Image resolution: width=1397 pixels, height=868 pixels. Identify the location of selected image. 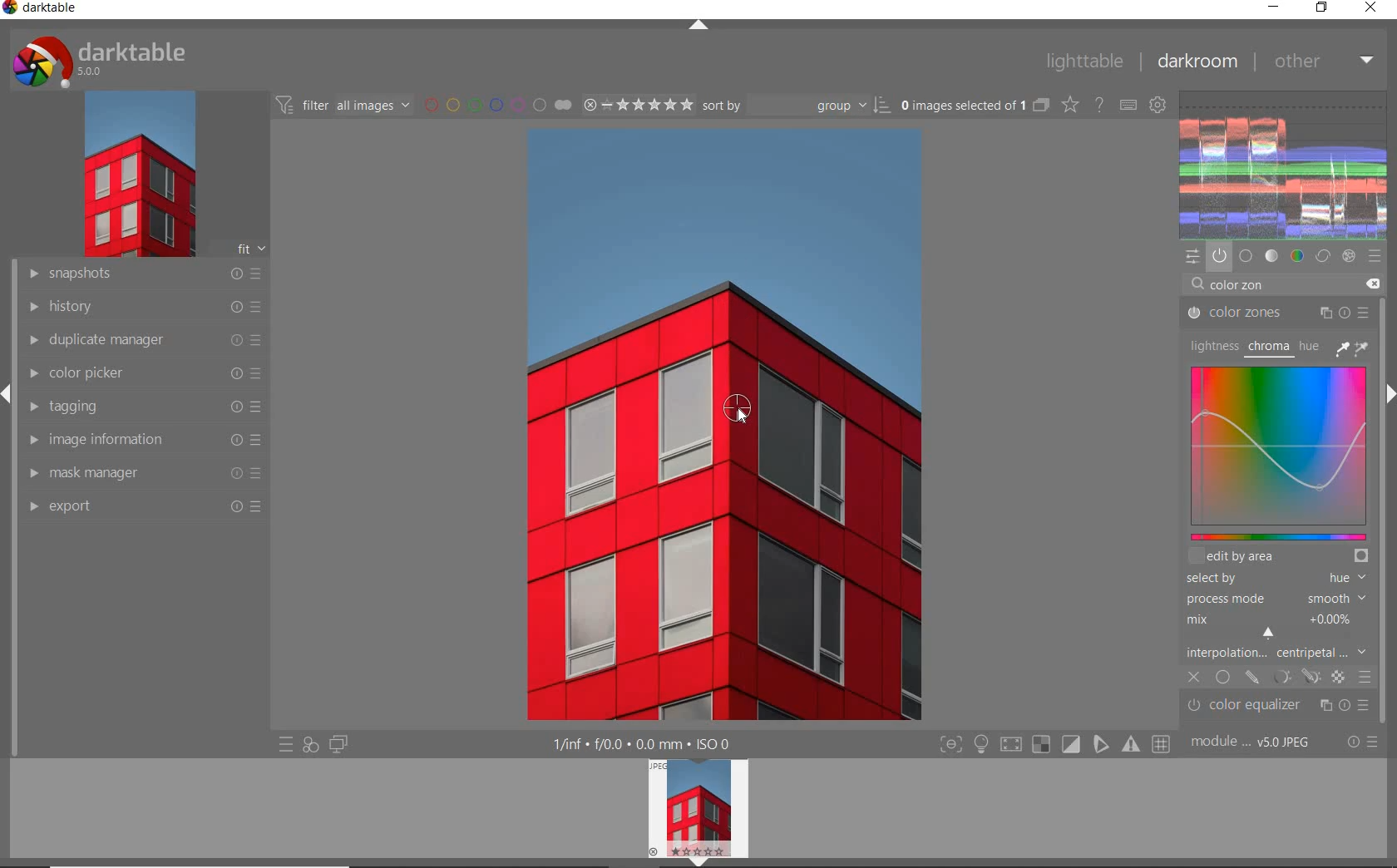
(722, 423).